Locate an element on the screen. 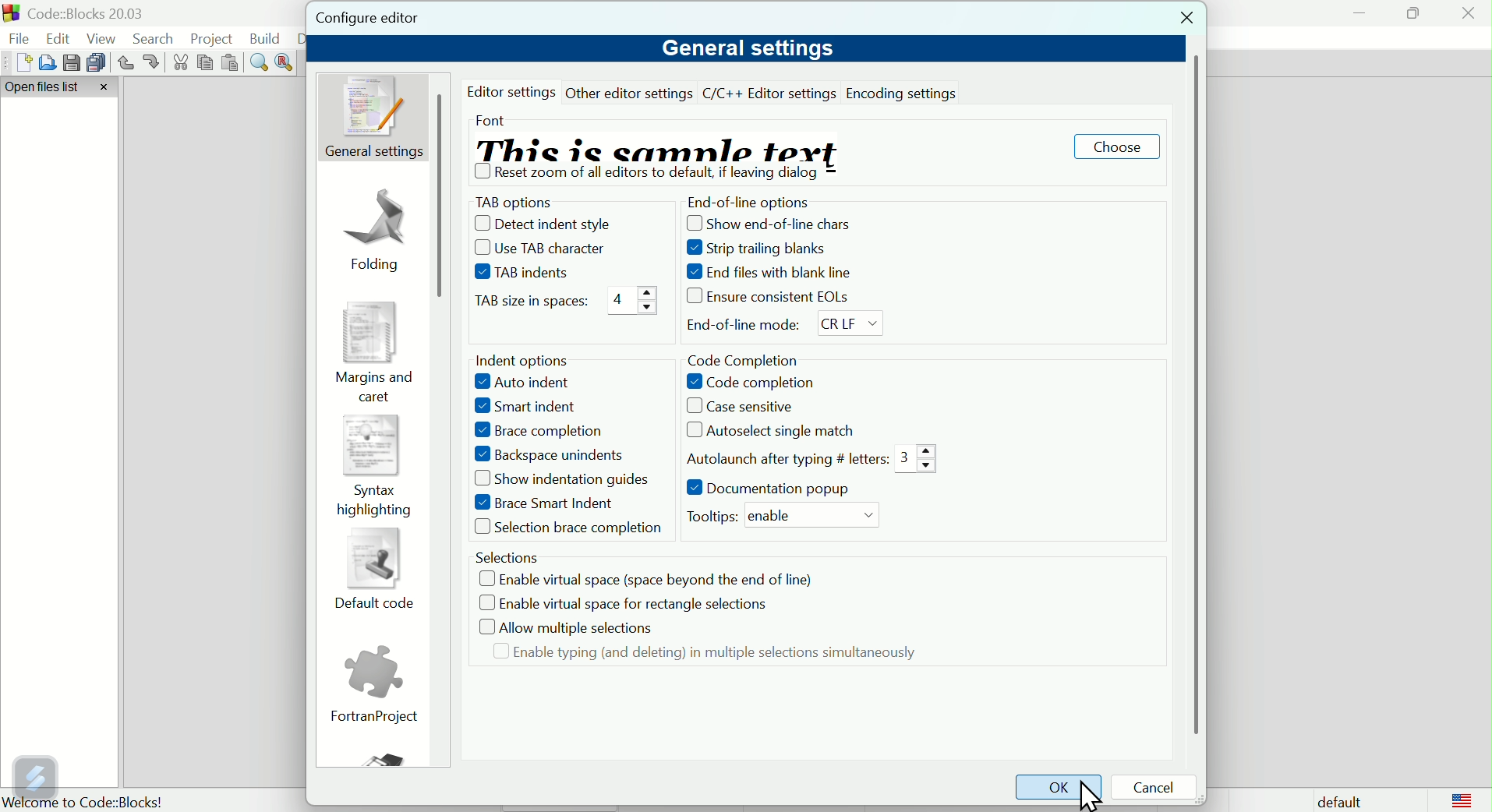 The height and width of the screenshot is (812, 1492). Choose is located at coordinates (1116, 149).